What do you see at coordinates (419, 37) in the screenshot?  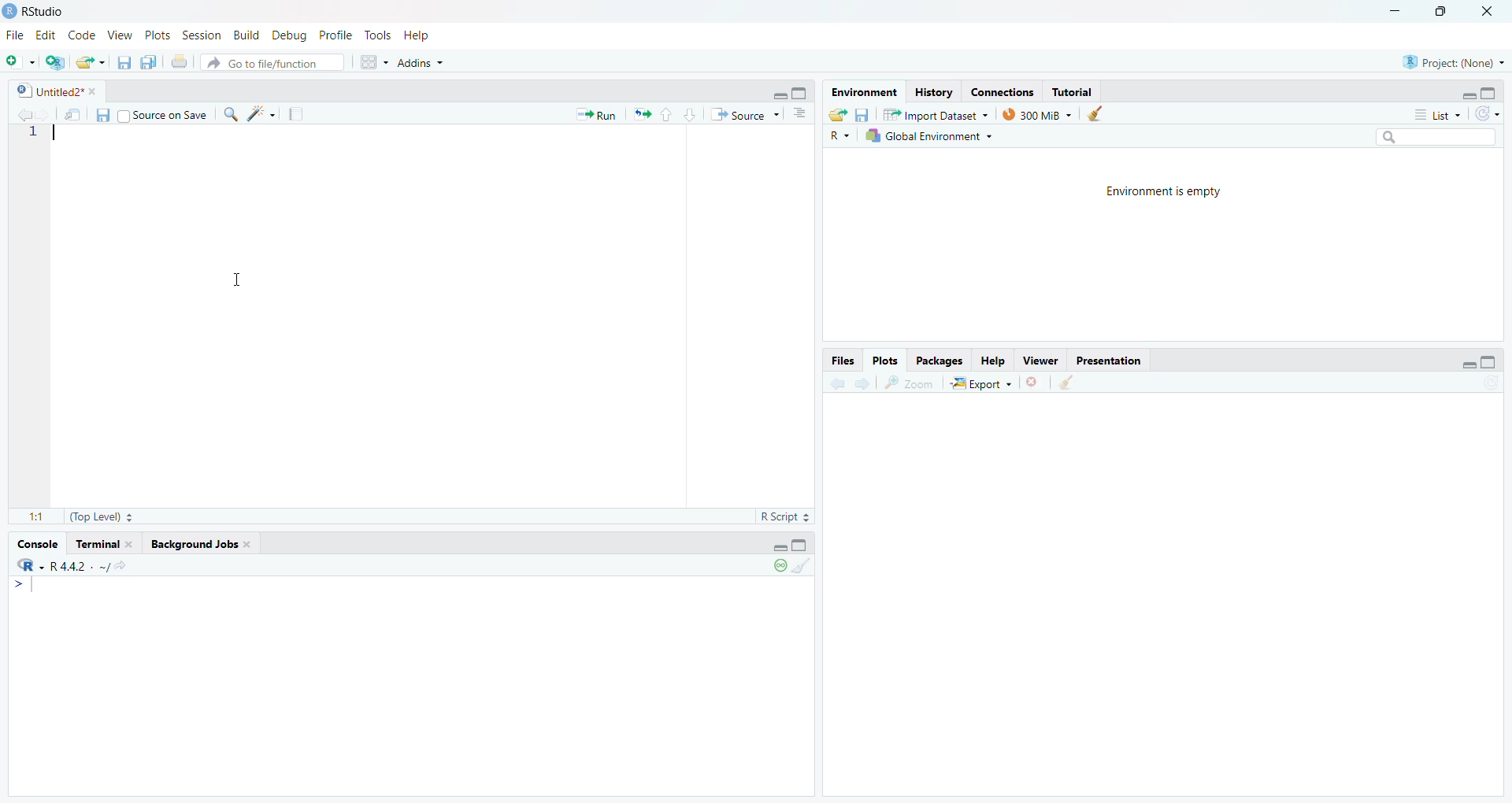 I see `Help` at bounding box center [419, 37].